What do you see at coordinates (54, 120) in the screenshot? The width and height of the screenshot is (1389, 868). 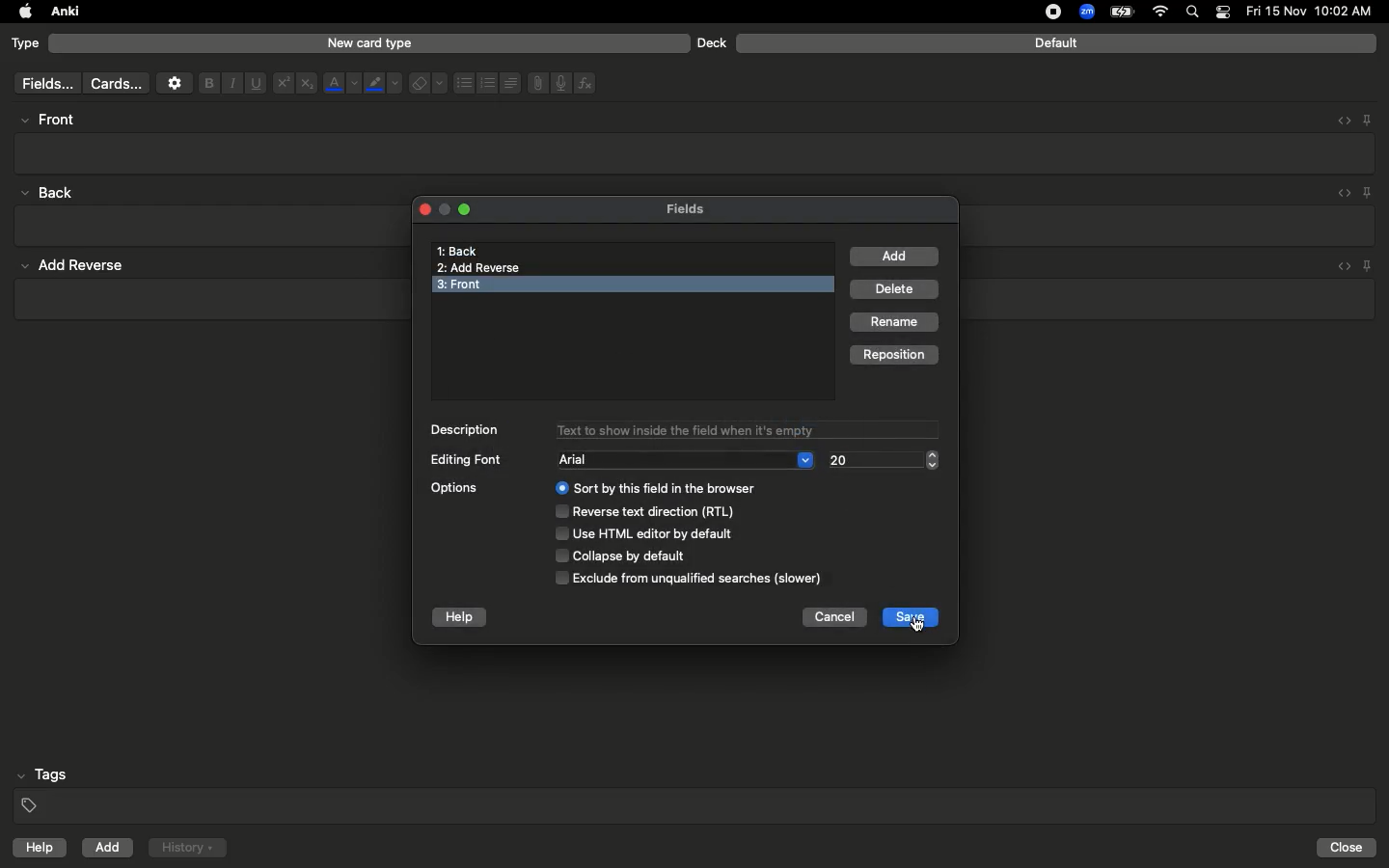 I see `High` at bounding box center [54, 120].